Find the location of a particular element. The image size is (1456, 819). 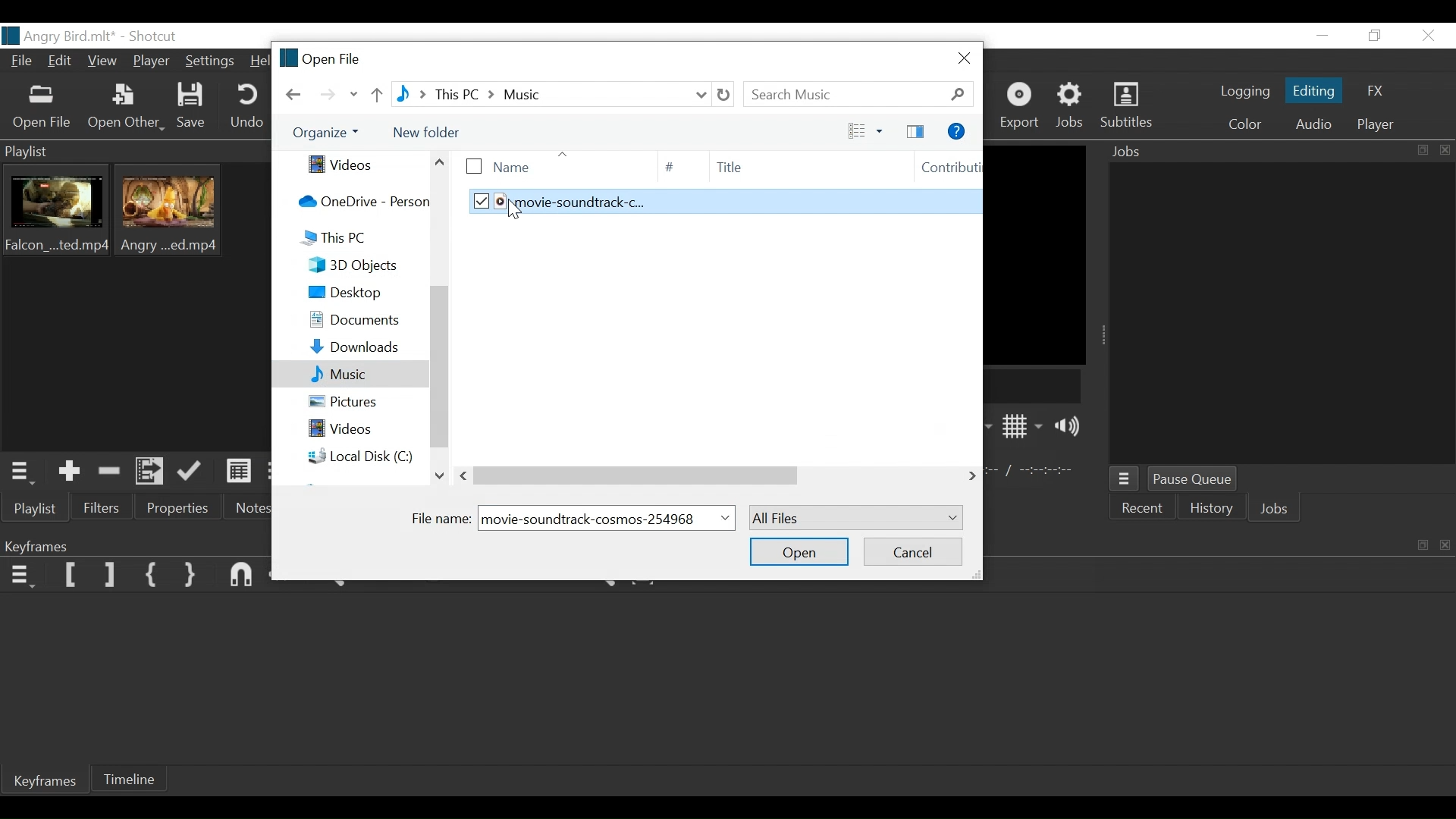

Edit is located at coordinates (62, 63).